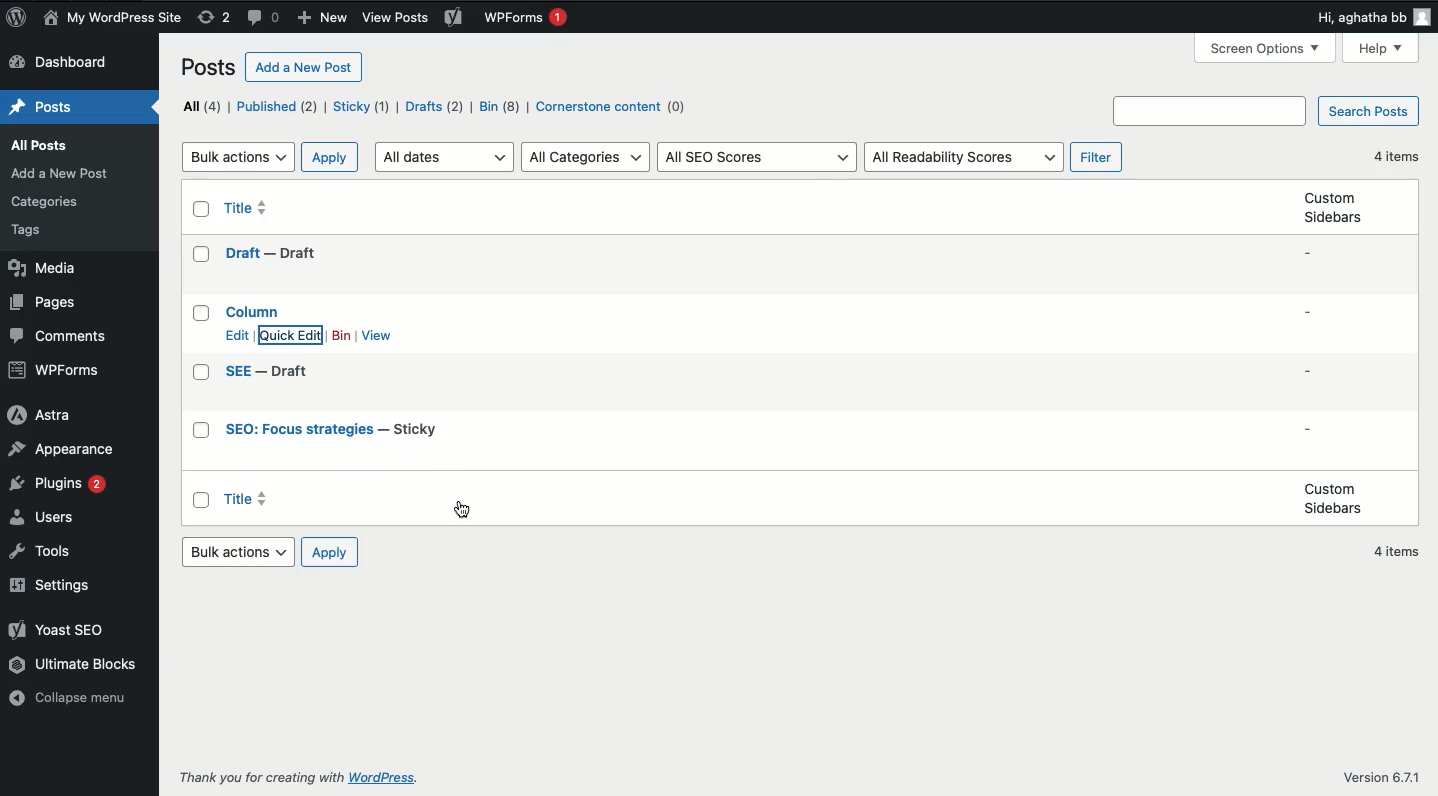 This screenshot has height=796, width=1438. What do you see at coordinates (1331, 498) in the screenshot?
I see `Custom sidebars` at bounding box center [1331, 498].